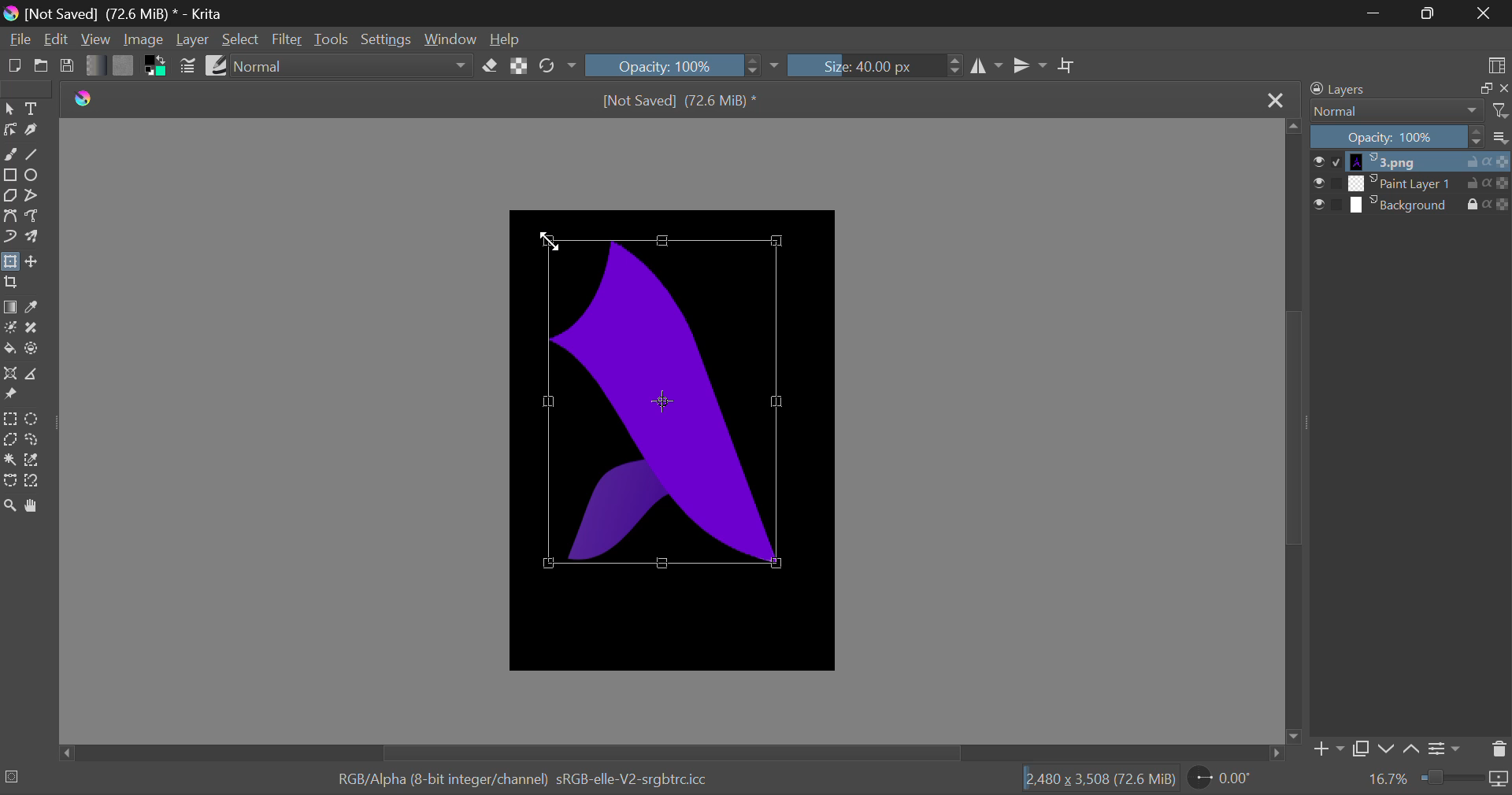  I want to click on Smart Patch Tool, so click(36, 328).